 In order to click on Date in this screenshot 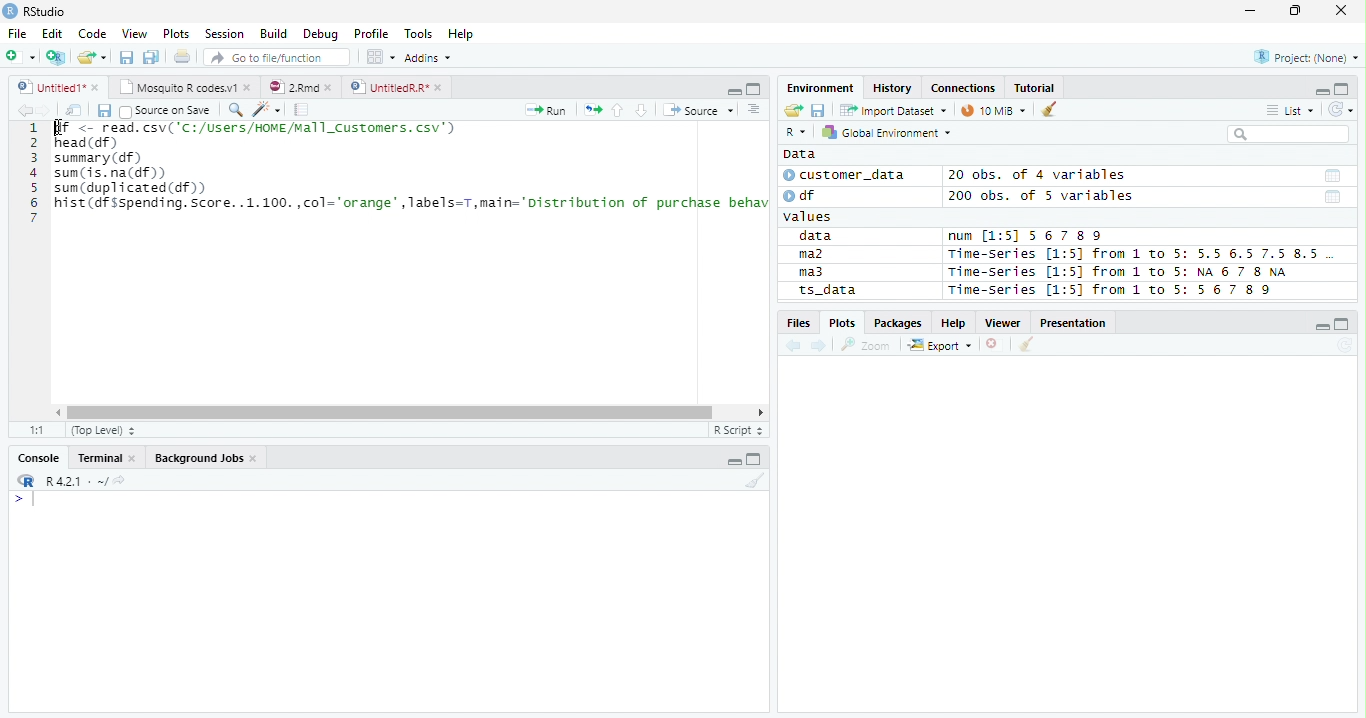, I will do `click(1331, 176)`.